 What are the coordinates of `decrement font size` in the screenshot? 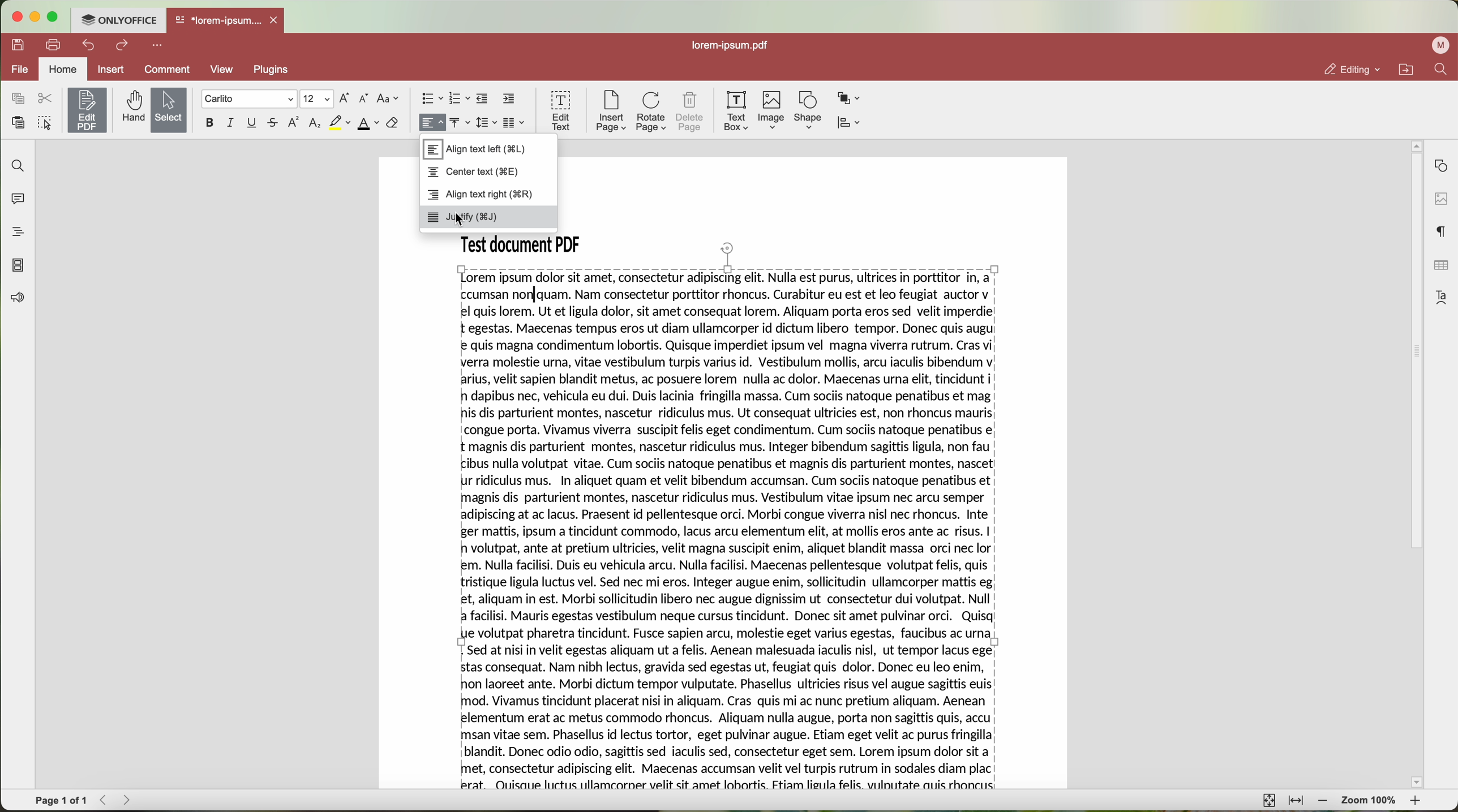 It's located at (365, 99).